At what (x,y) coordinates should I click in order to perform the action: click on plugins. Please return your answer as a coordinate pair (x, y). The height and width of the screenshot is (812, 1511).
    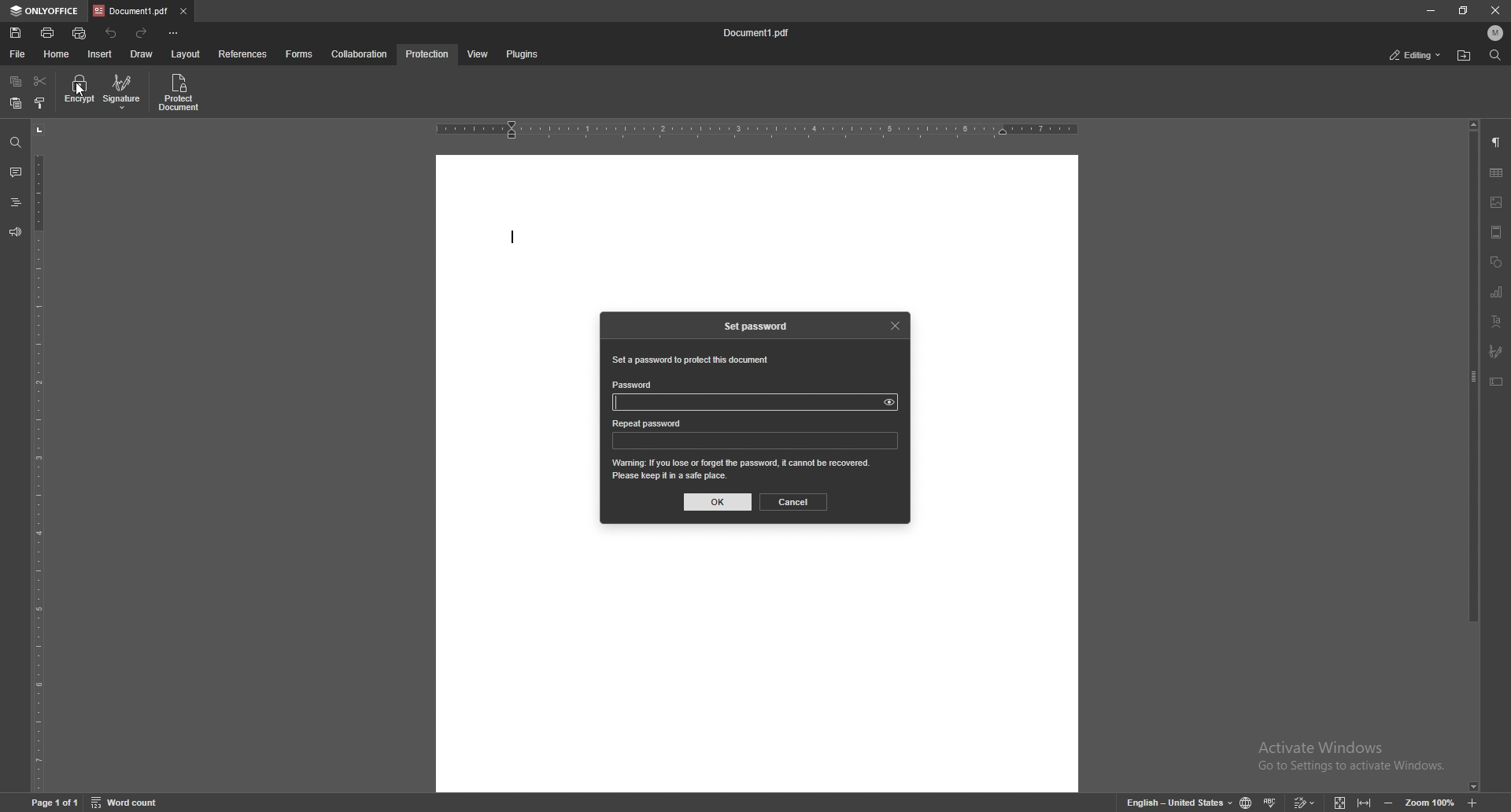
    Looking at the image, I should click on (524, 54).